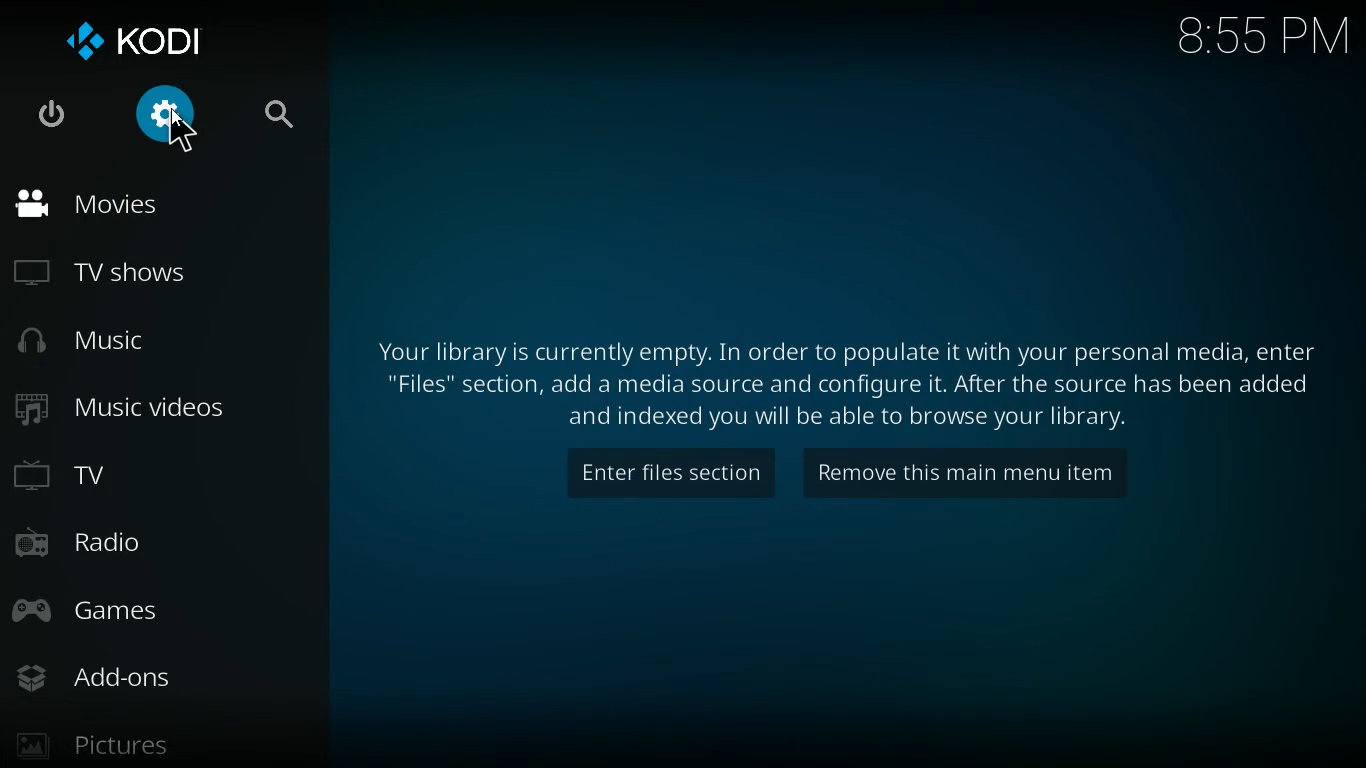 The width and height of the screenshot is (1366, 768). What do you see at coordinates (117, 741) in the screenshot?
I see `pictures` at bounding box center [117, 741].